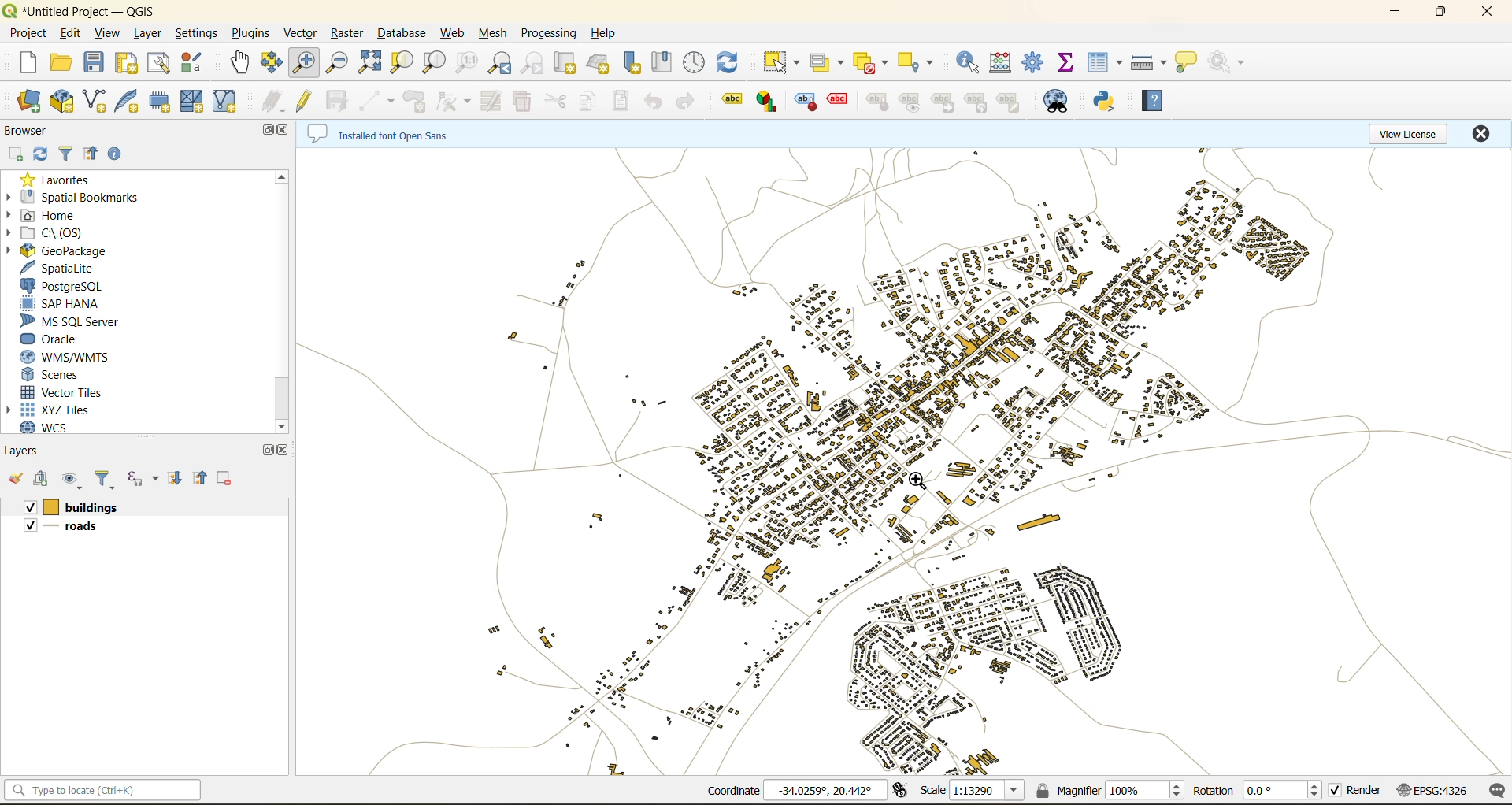 This screenshot has height=805, width=1512. What do you see at coordinates (1111, 789) in the screenshot?
I see `magnifier` at bounding box center [1111, 789].